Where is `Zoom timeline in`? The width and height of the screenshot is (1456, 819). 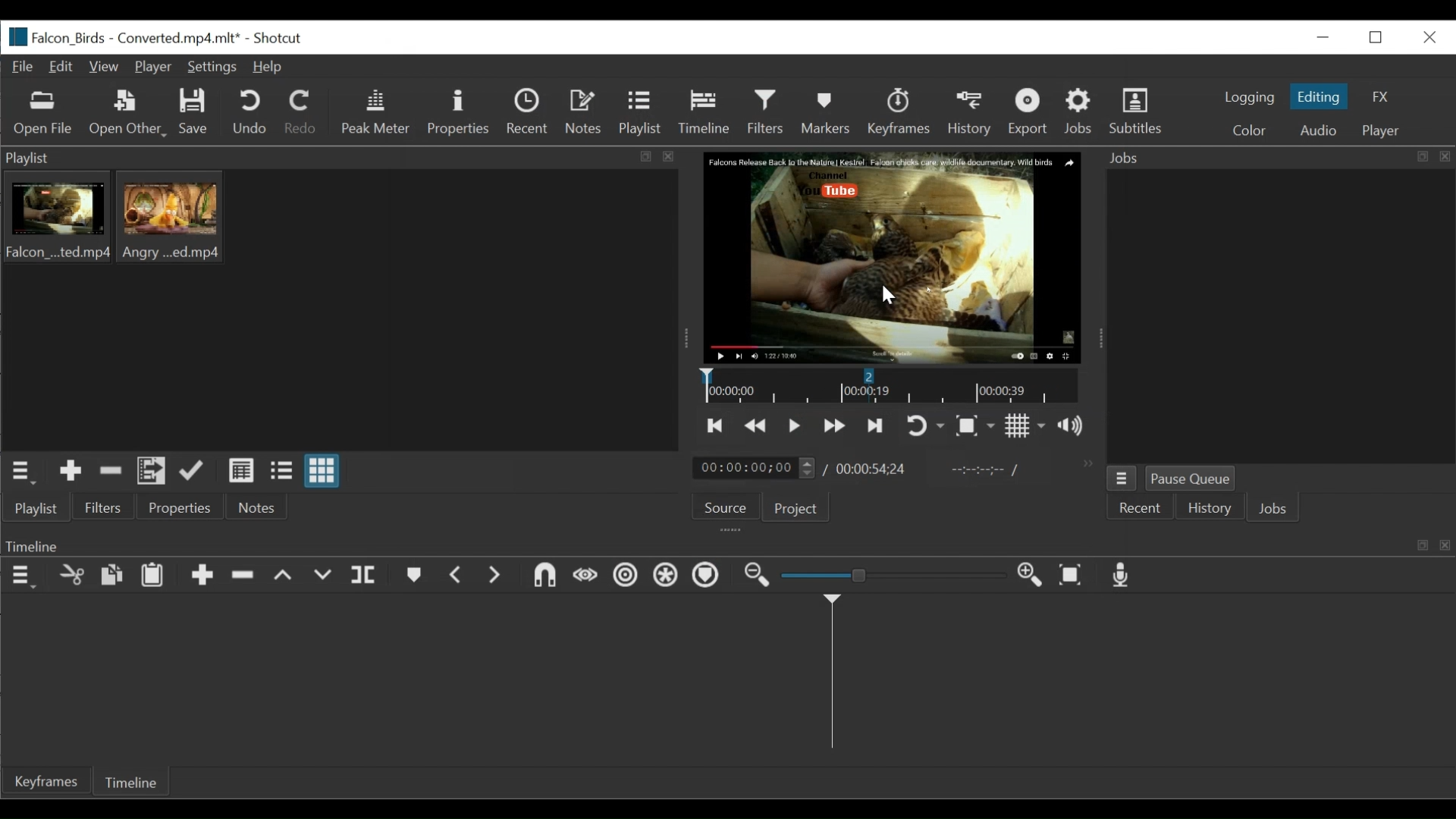 Zoom timeline in is located at coordinates (1028, 576).